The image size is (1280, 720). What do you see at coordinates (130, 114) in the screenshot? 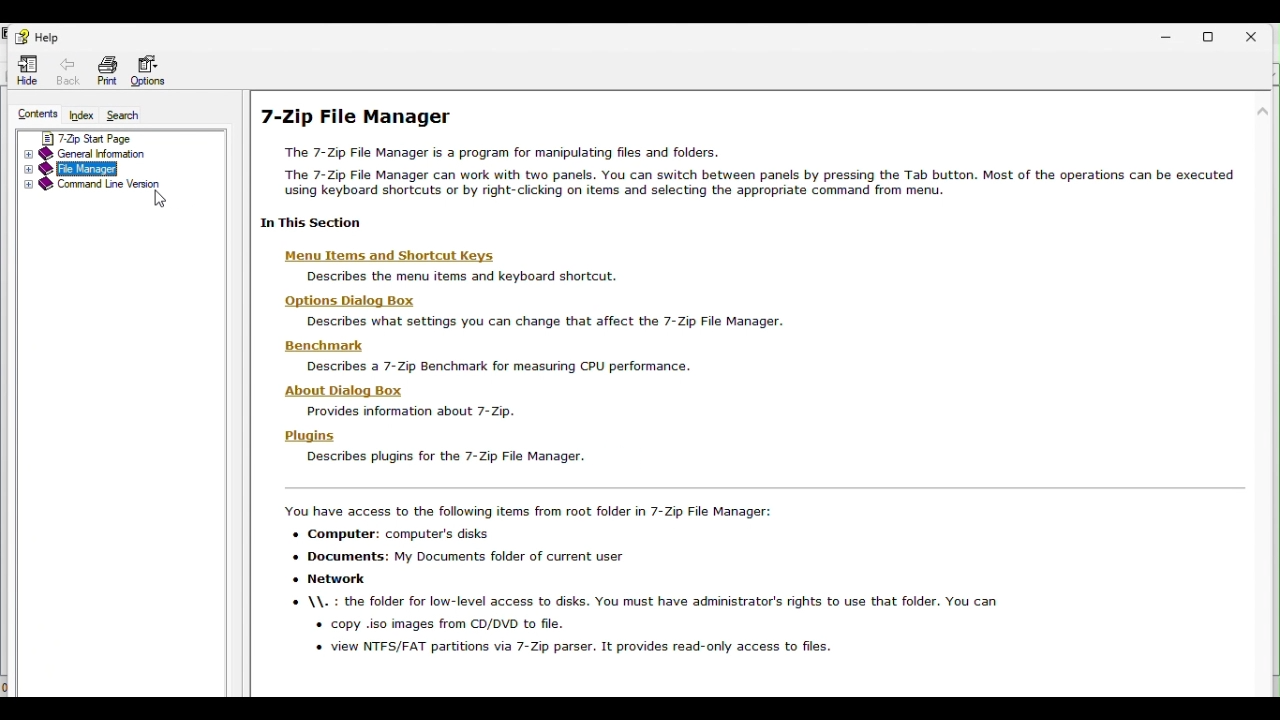
I see `Search` at bounding box center [130, 114].